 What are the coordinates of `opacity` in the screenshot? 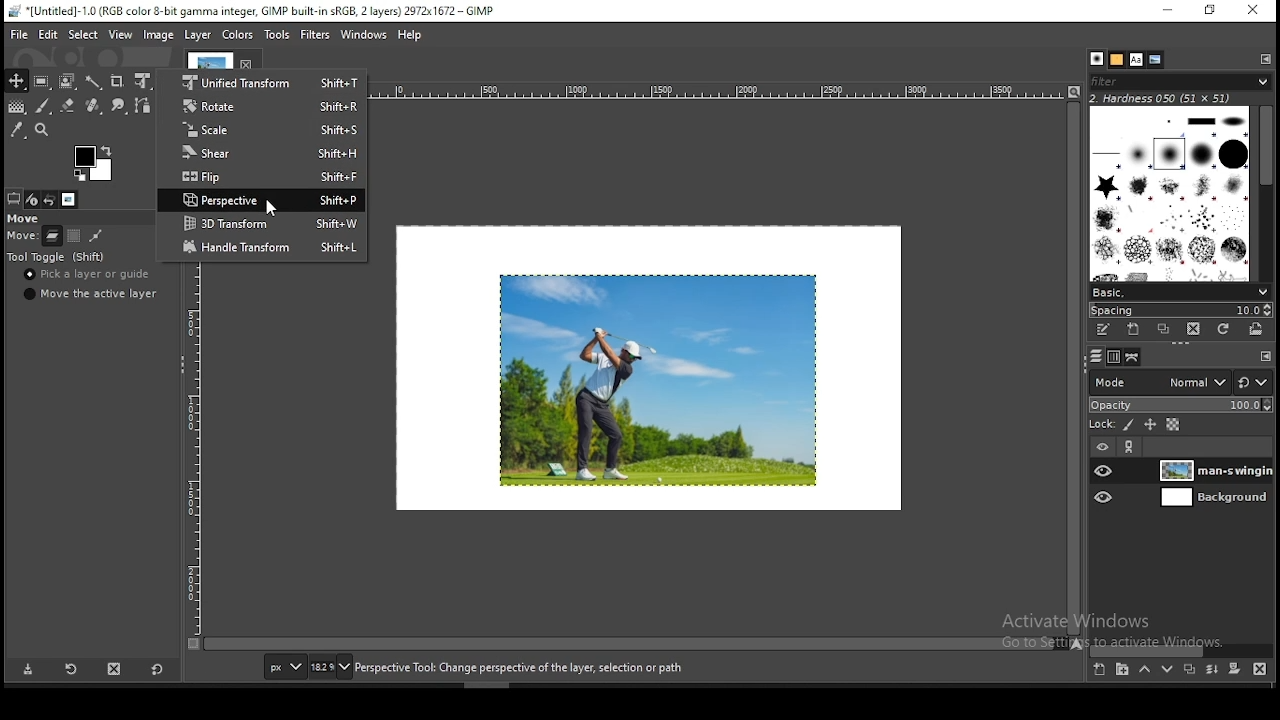 It's located at (1181, 406).